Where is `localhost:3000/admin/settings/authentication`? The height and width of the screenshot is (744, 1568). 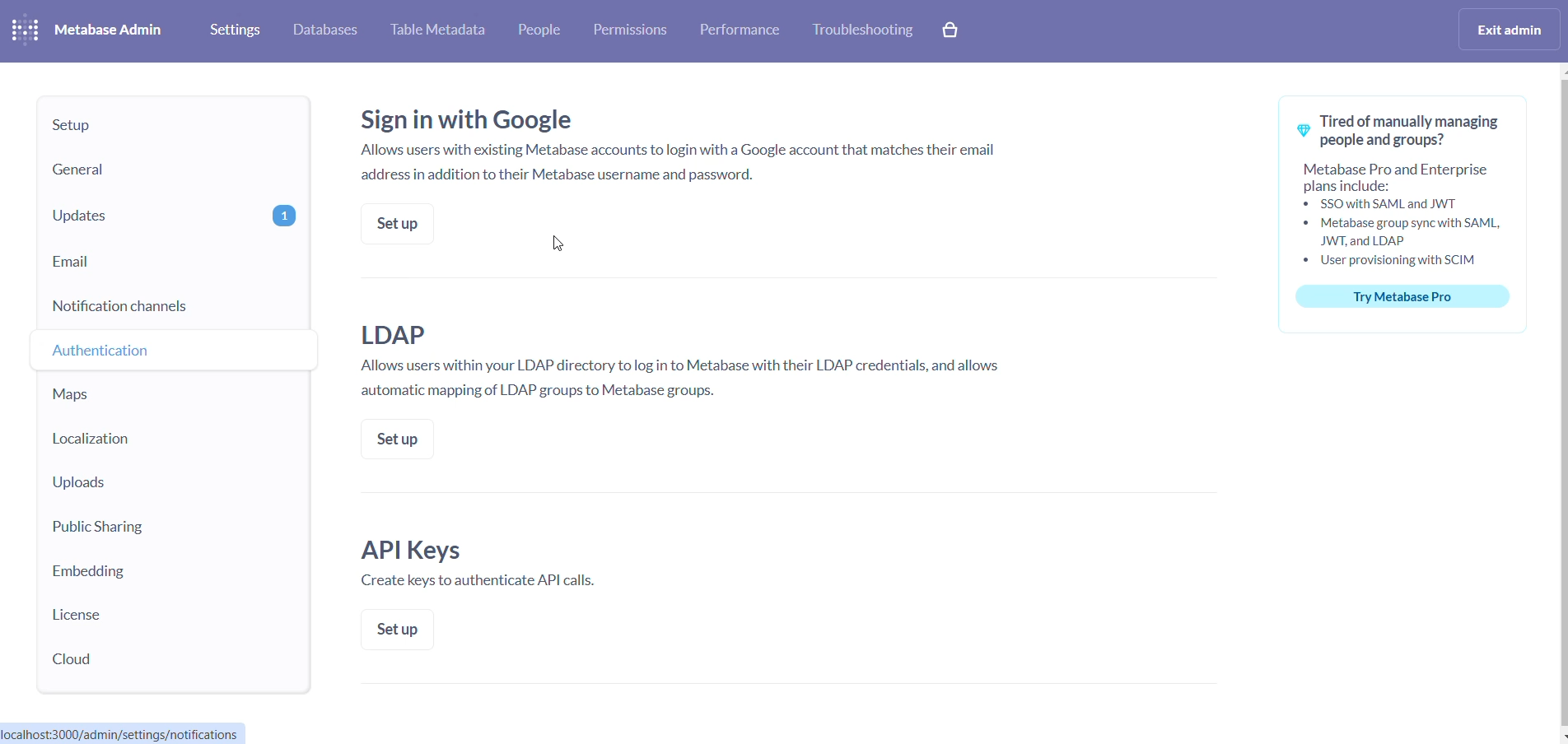
localhost:3000/admin/settings/authentication is located at coordinates (130, 732).